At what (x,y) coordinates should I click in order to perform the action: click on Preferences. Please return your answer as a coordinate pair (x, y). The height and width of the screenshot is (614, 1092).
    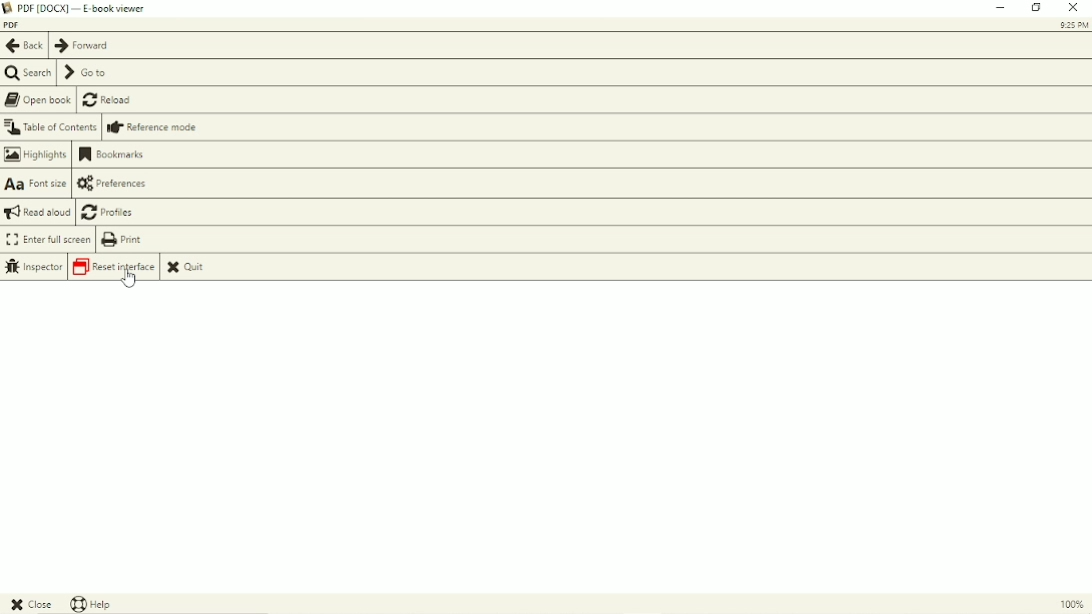
    Looking at the image, I should click on (117, 183).